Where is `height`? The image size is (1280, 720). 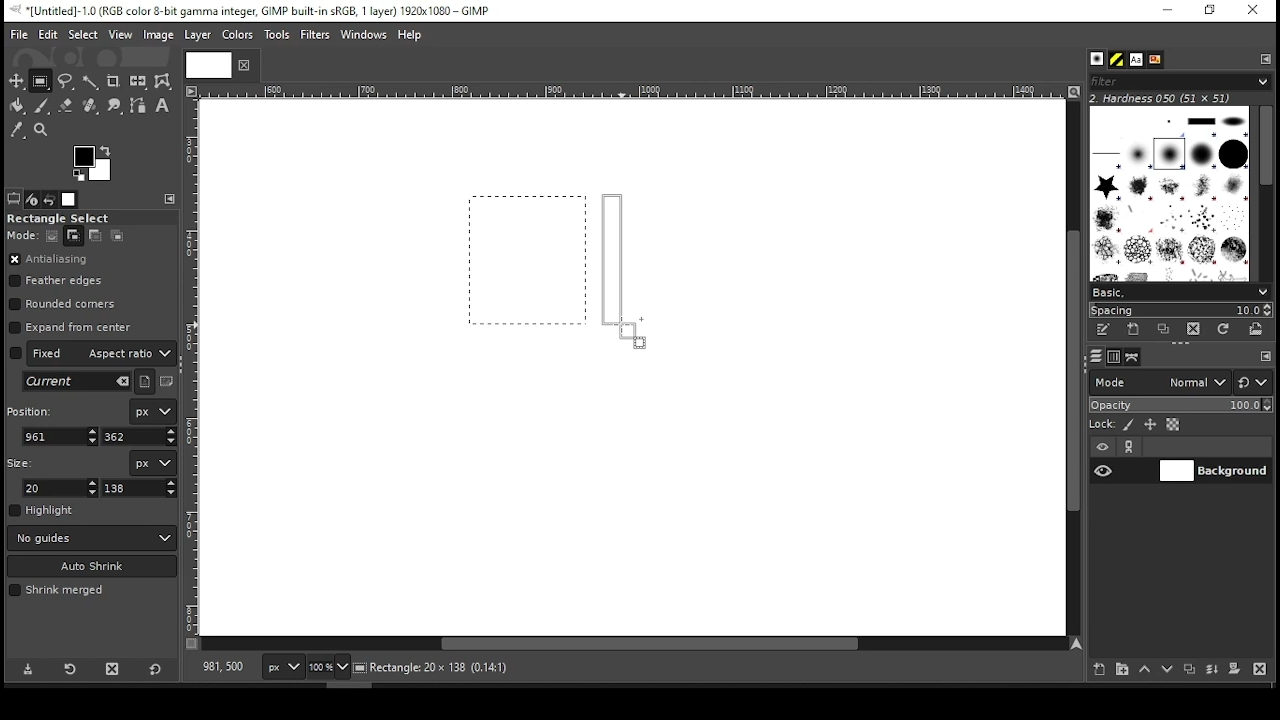 height is located at coordinates (140, 488).